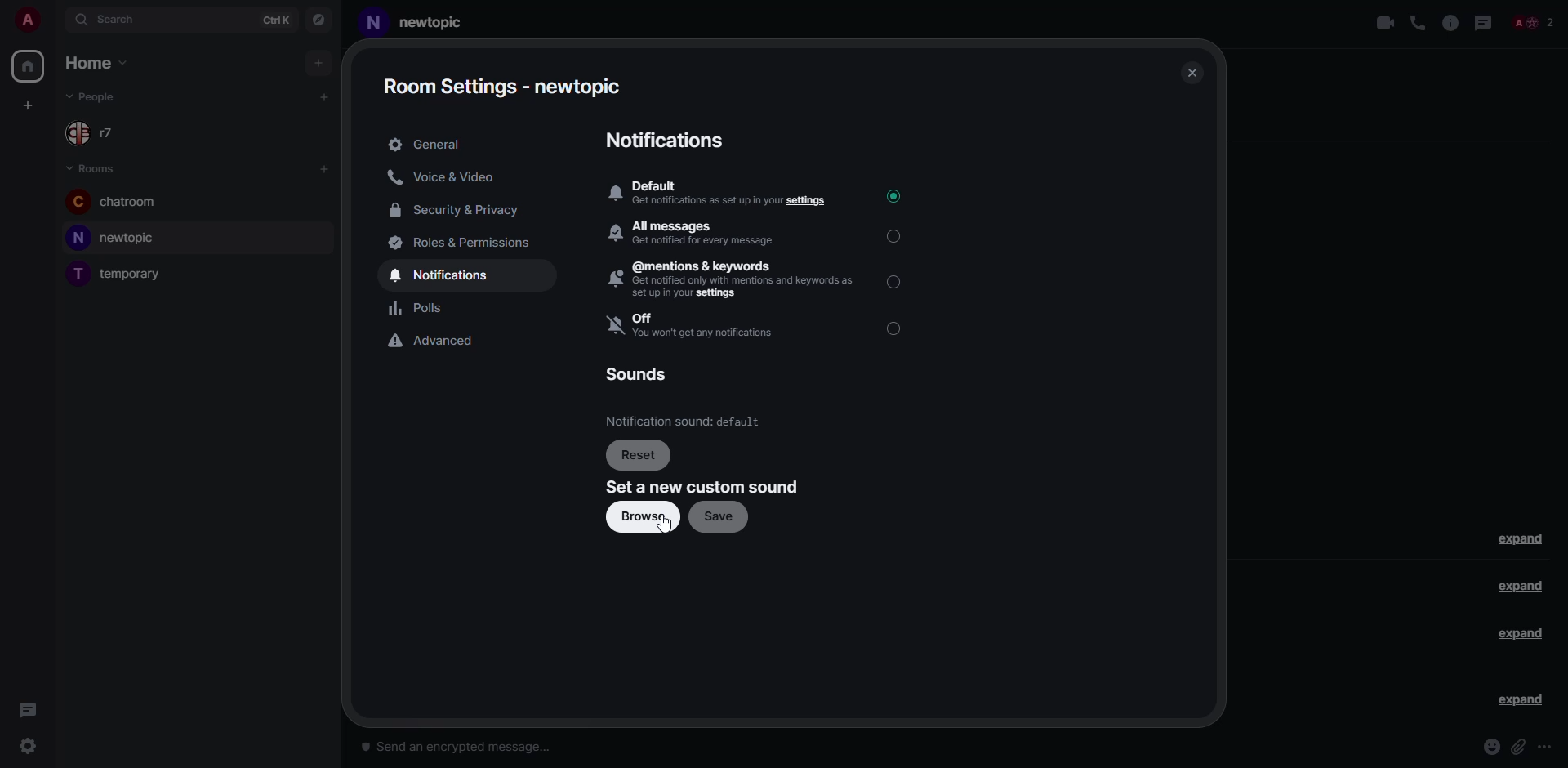  I want to click on polls, so click(426, 308).